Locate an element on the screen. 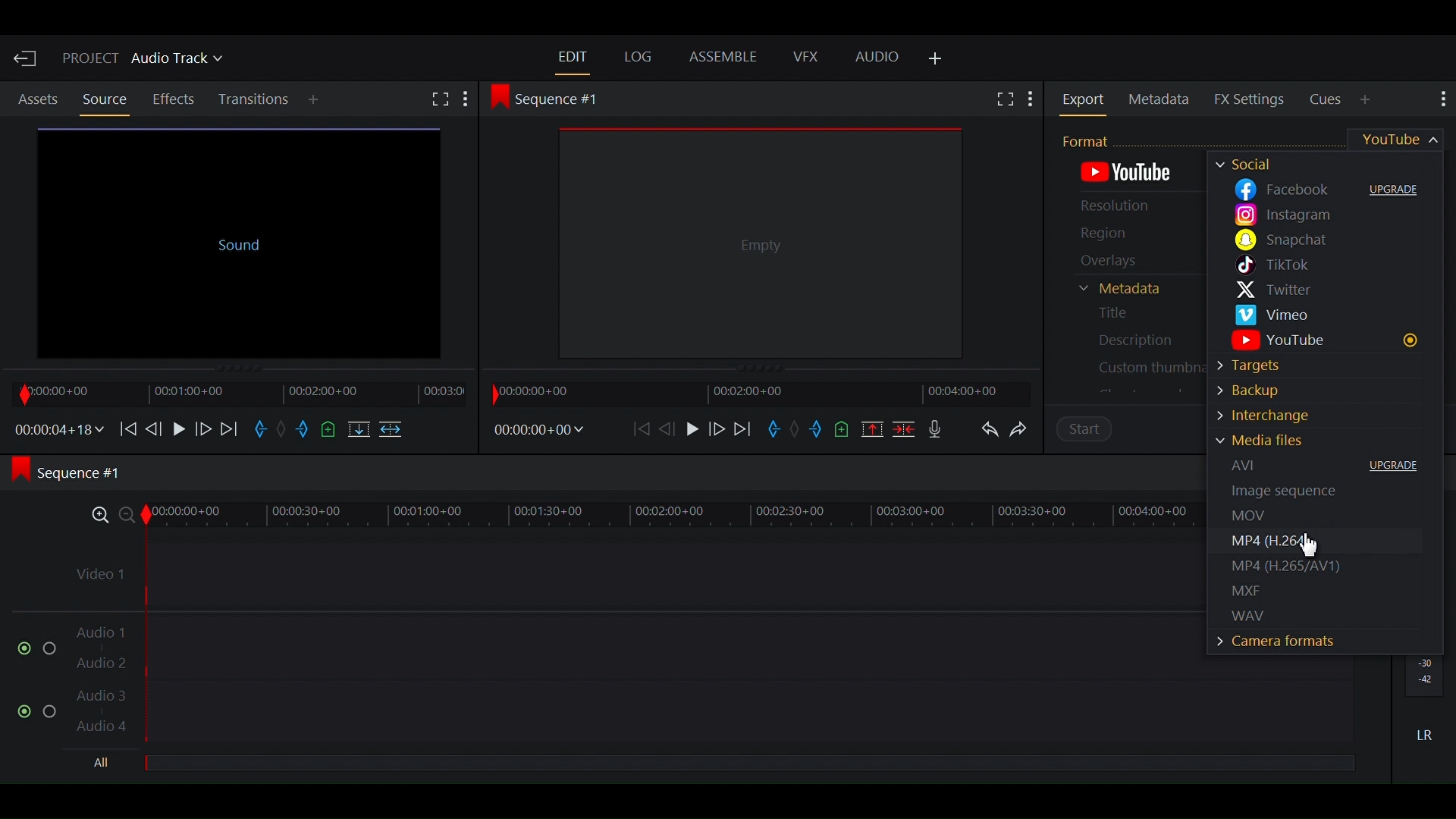 Image resolution: width=1456 pixels, height=819 pixels. Media Files is located at coordinates (1325, 444).